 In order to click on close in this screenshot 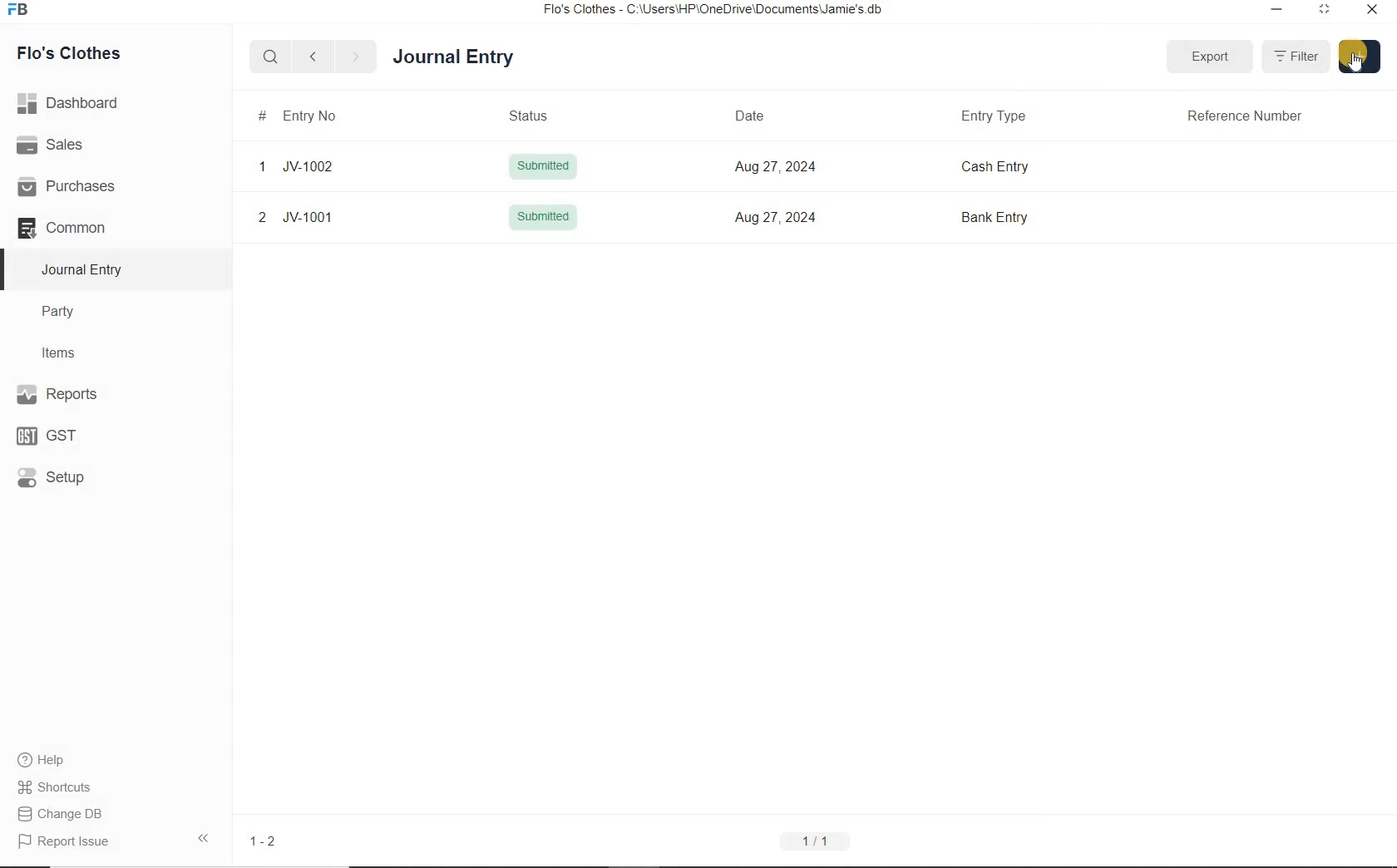, I will do `click(1371, 8)`.